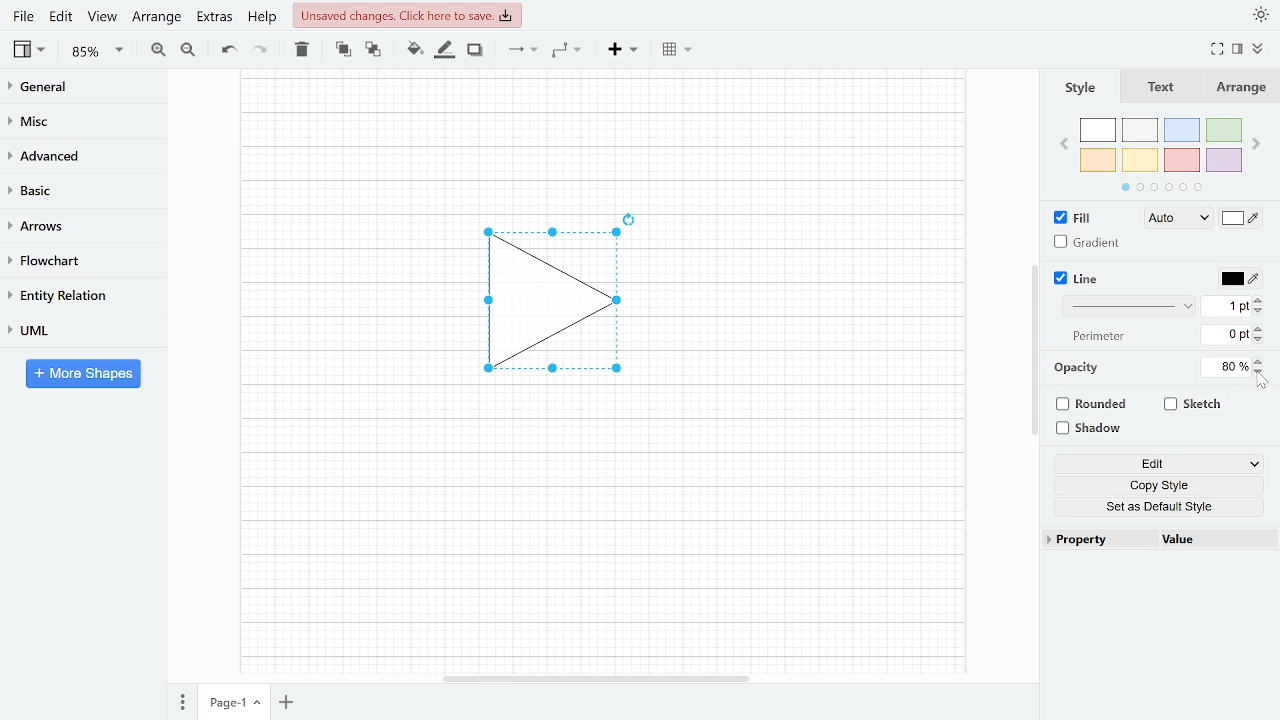  Describe the element at coordinates (1174, 219) in the screenshot. I see `Fill style` at that location.